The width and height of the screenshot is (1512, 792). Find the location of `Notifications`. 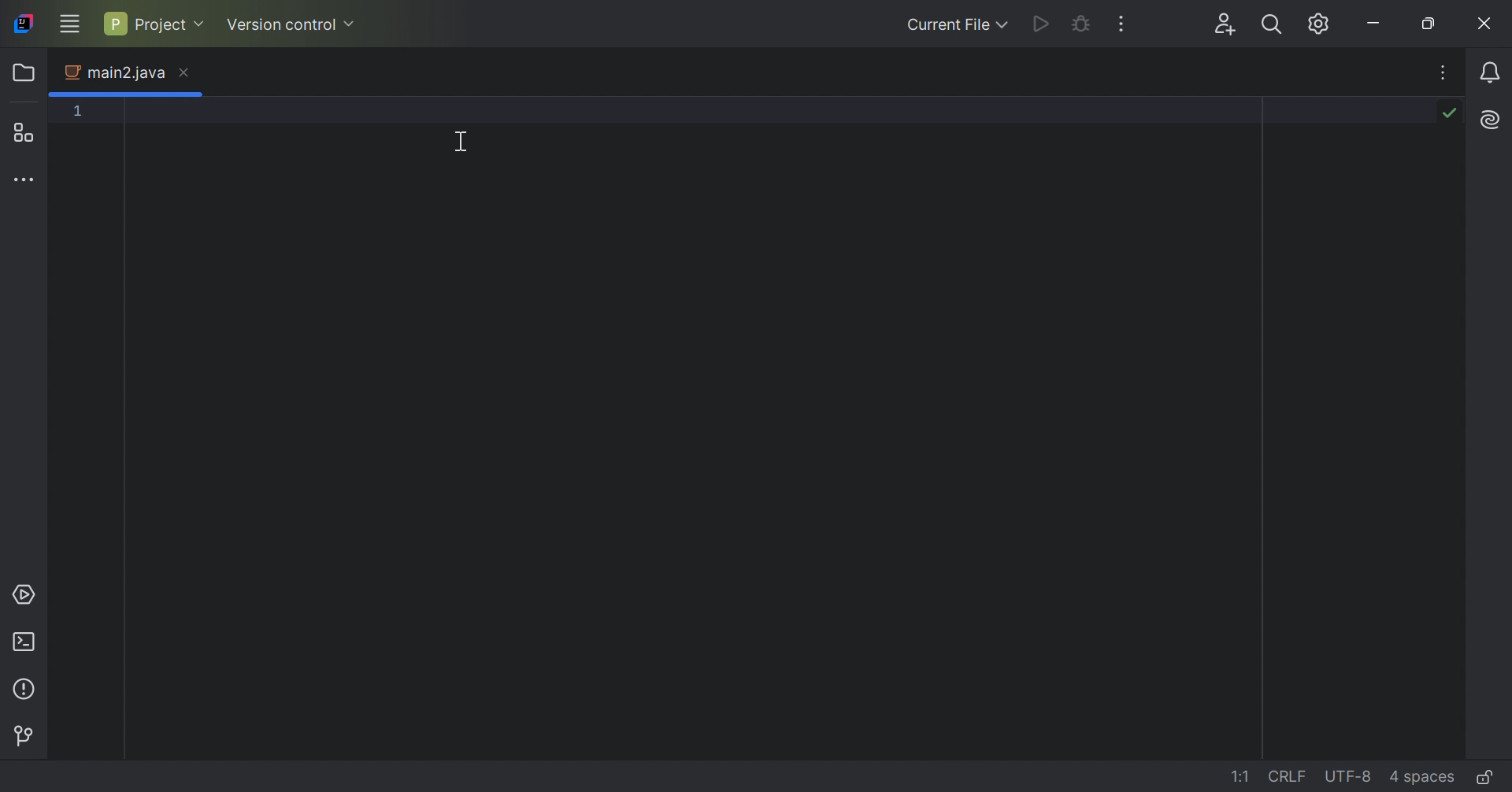

Notifications is located at coordinates (1494, 73).